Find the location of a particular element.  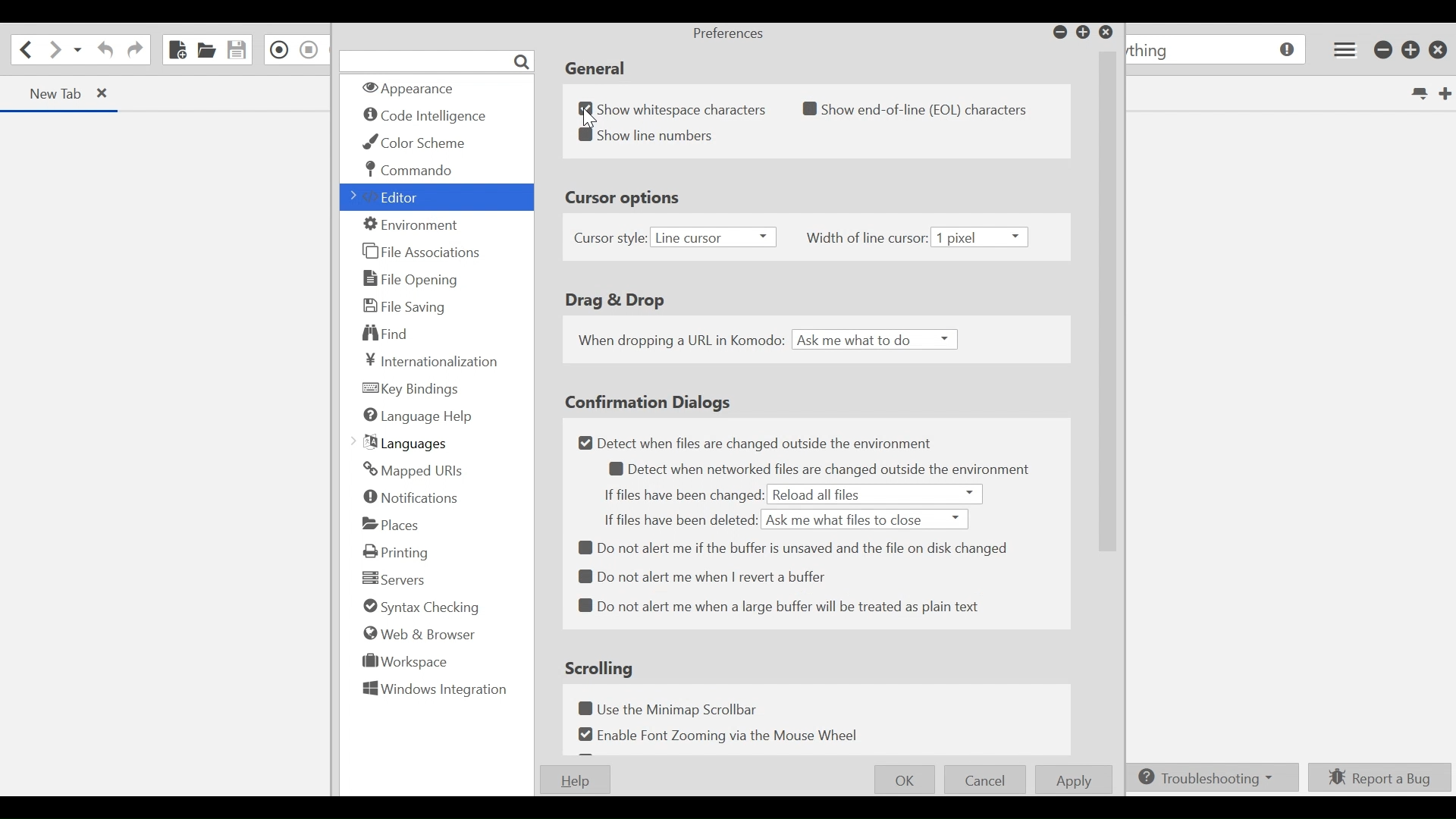

Workspace is located at coordinates (406, 661).